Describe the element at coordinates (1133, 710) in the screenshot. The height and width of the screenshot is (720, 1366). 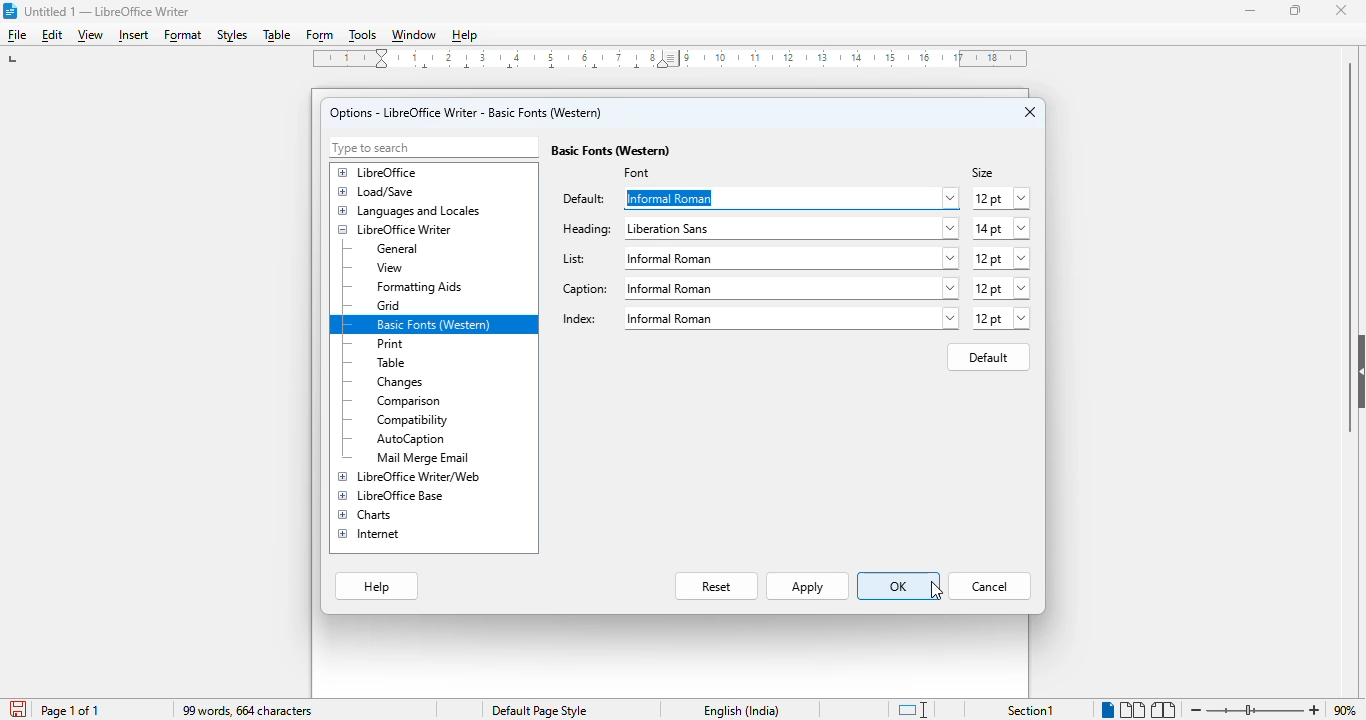
I see `multi-page view` at that location.